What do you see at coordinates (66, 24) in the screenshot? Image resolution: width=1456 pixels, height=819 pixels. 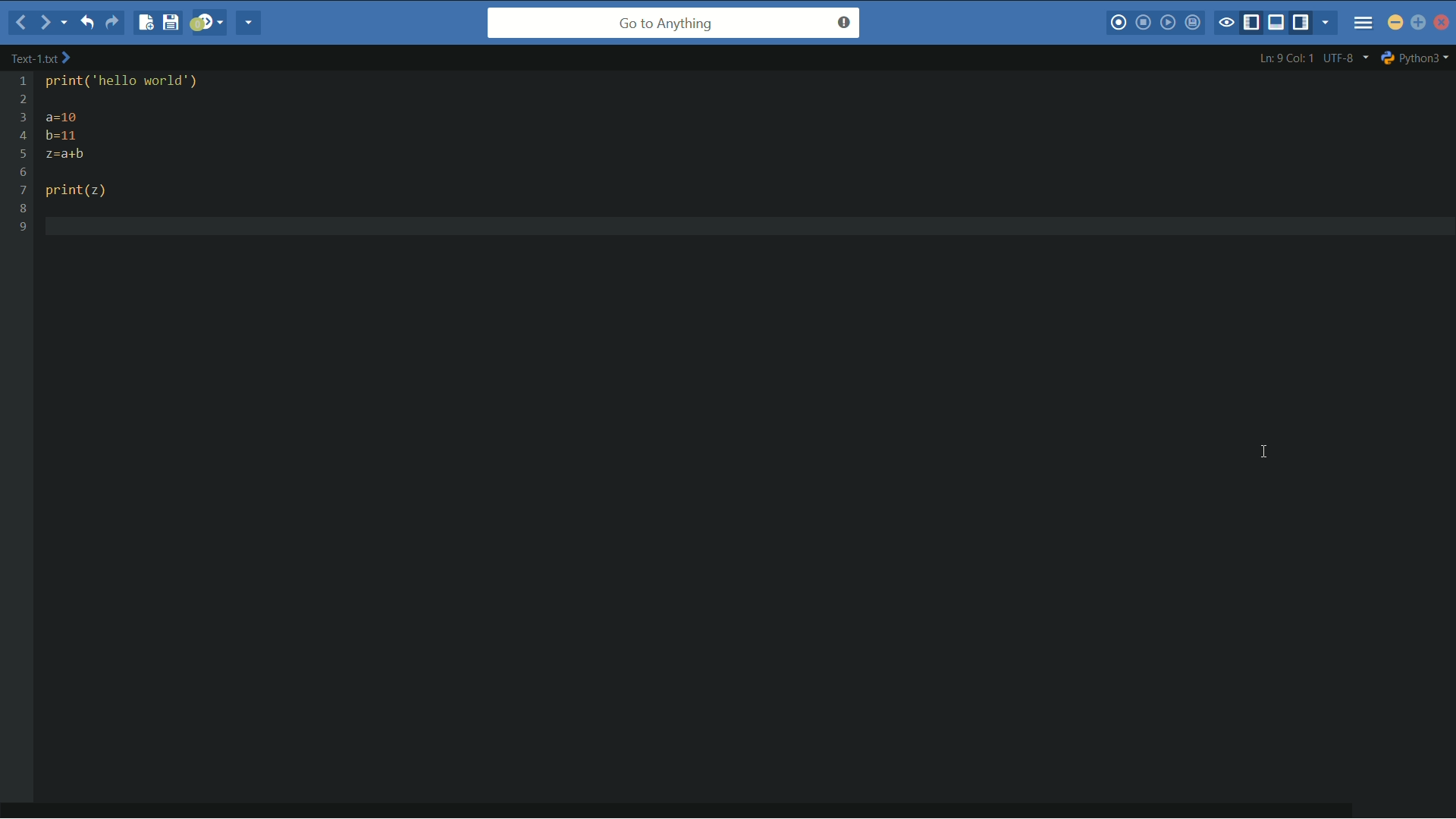 I see `recent locations` at bounding box center [66, 24].